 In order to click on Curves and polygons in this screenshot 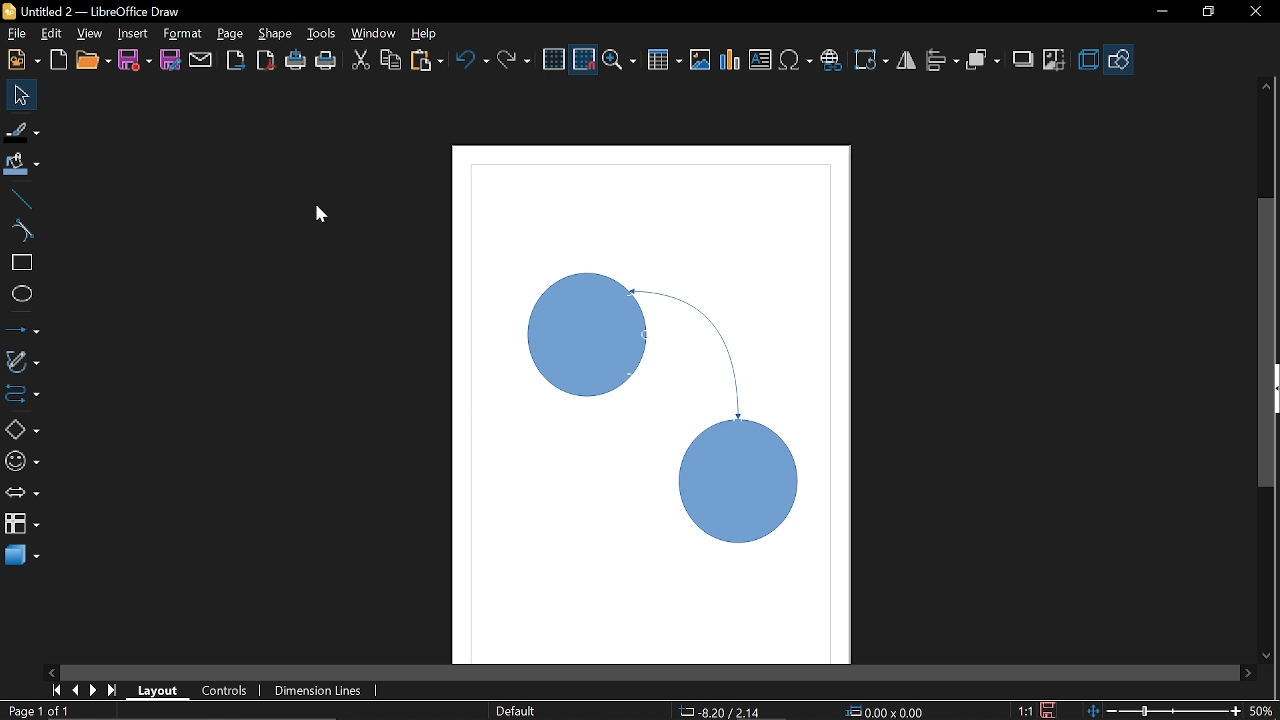, I will do `click(22, 362)`.